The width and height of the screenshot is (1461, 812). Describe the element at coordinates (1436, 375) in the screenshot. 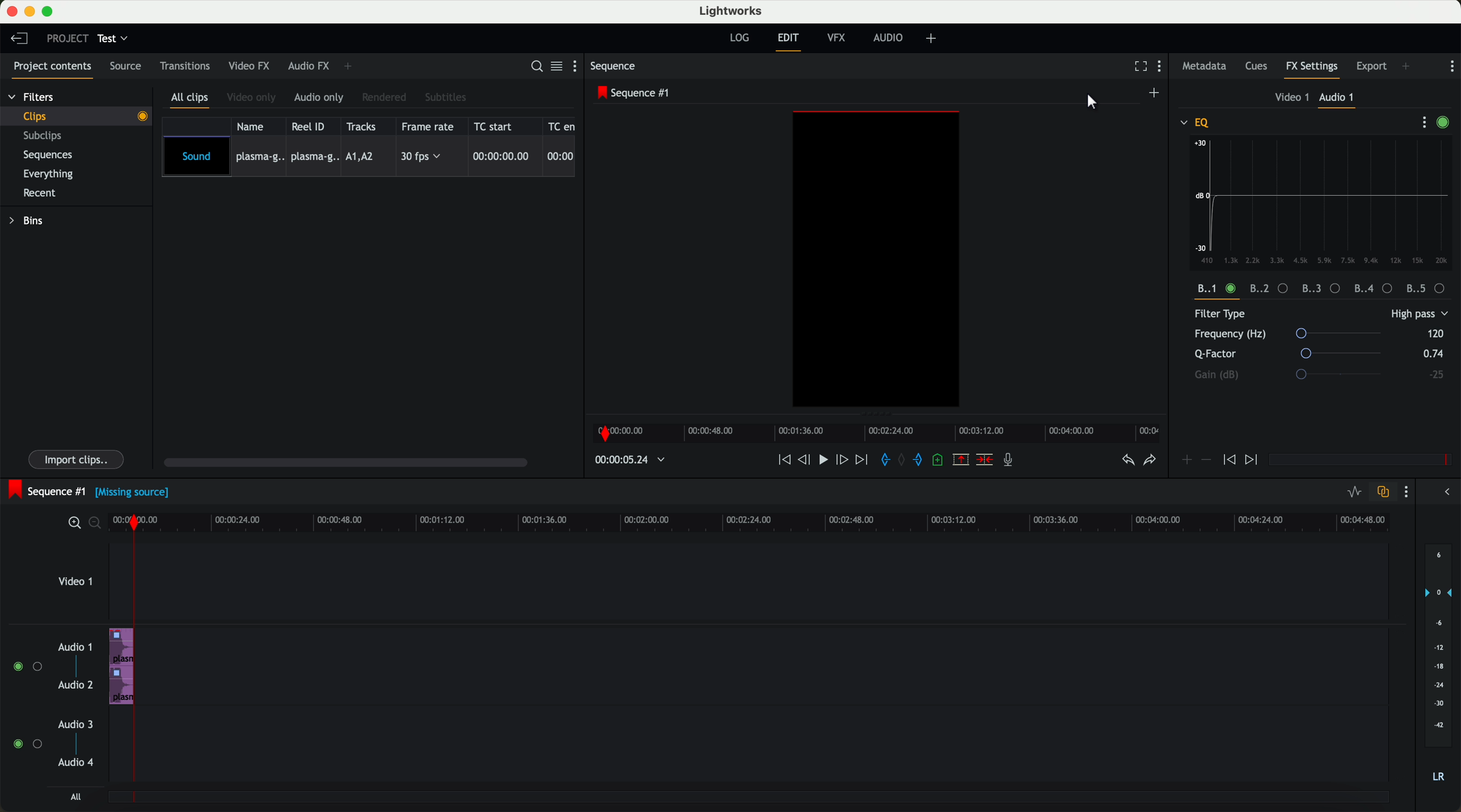

I see `-25` at that location.